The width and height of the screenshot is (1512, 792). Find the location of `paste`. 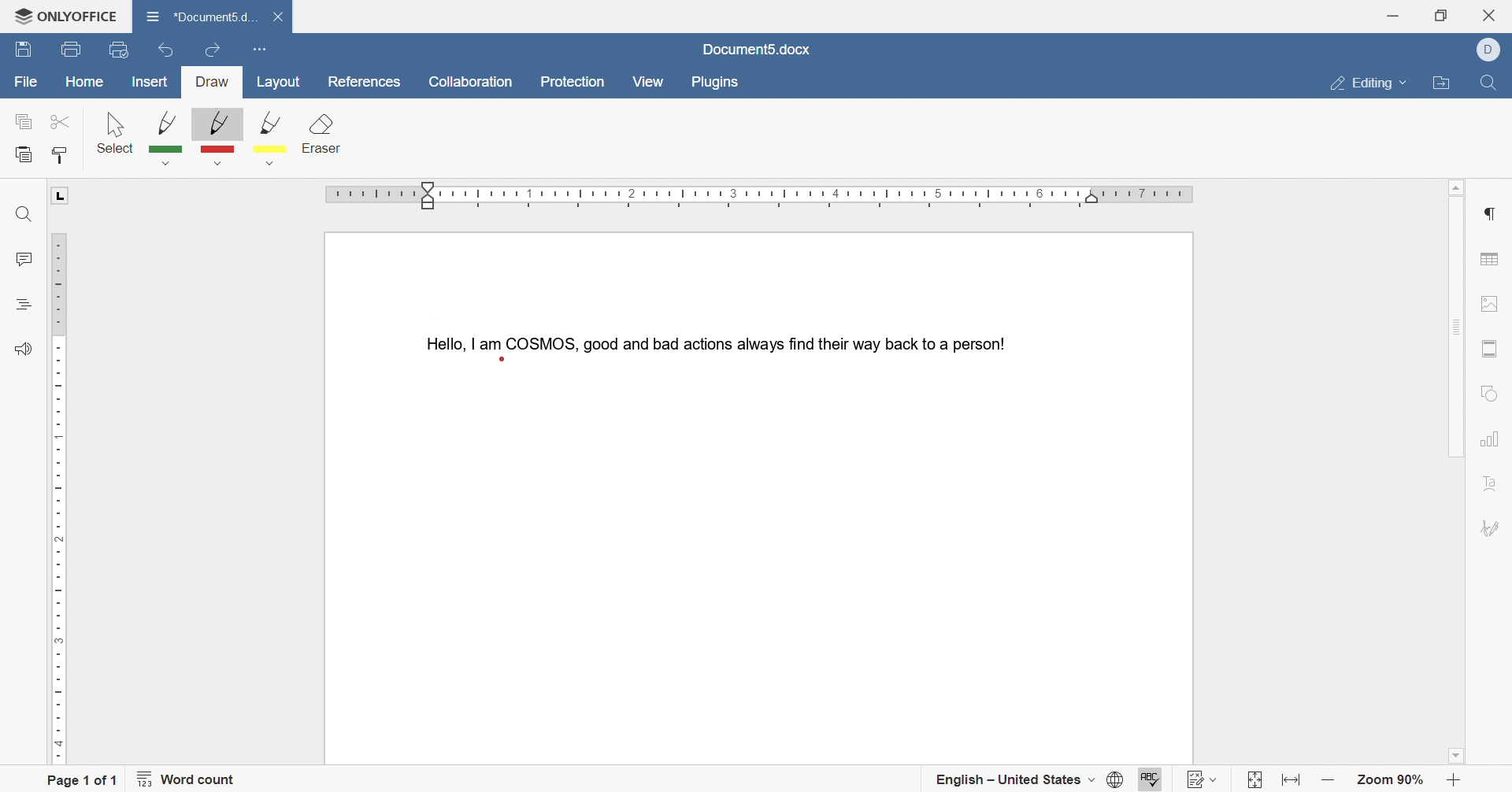

paste is located at coordinates (24, 155).